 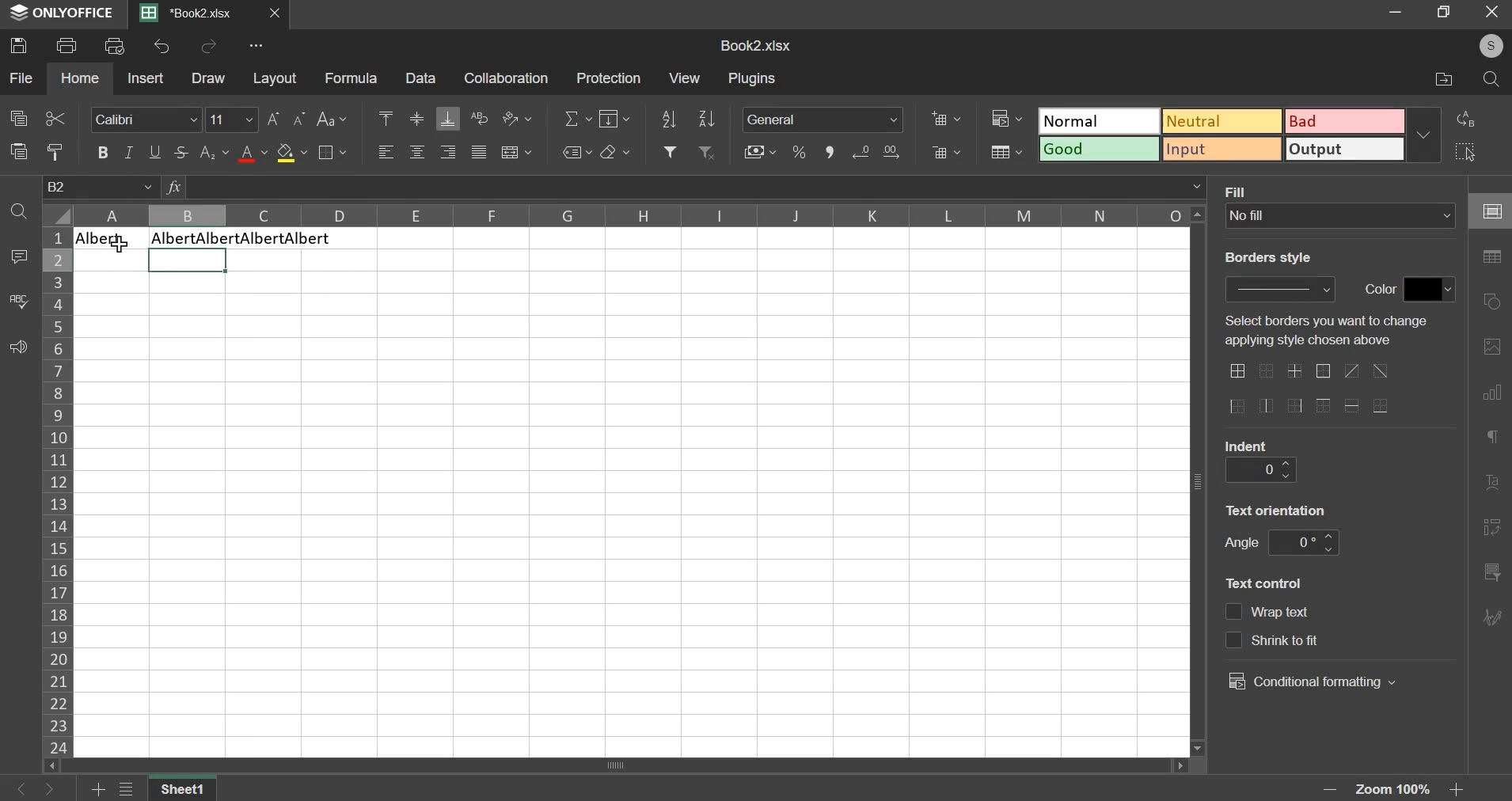 I want to click on rows, so click(x=56, y=489).